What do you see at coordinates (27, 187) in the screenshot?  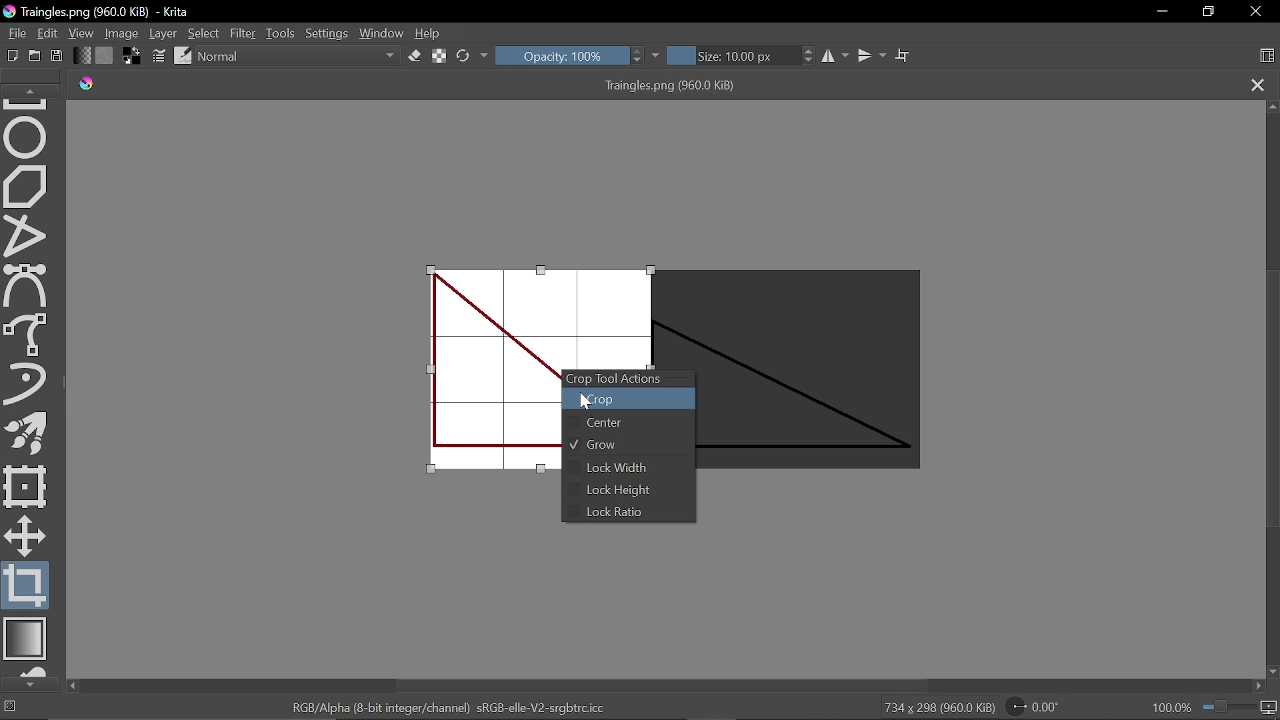 I see `Polygon tool` at bounding box center [27, 187].